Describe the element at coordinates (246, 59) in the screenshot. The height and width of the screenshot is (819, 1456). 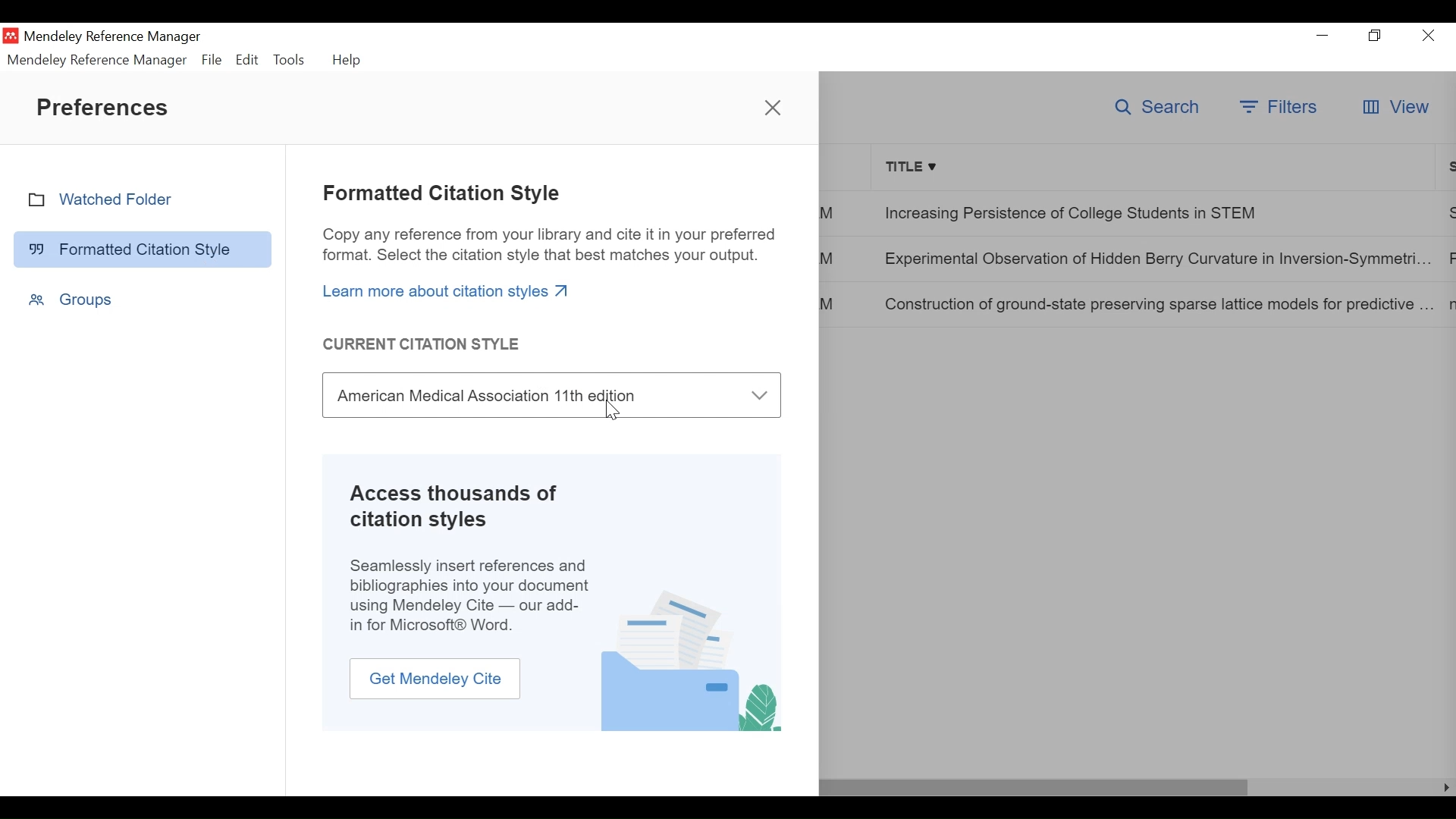
I see `Edit` at that location.